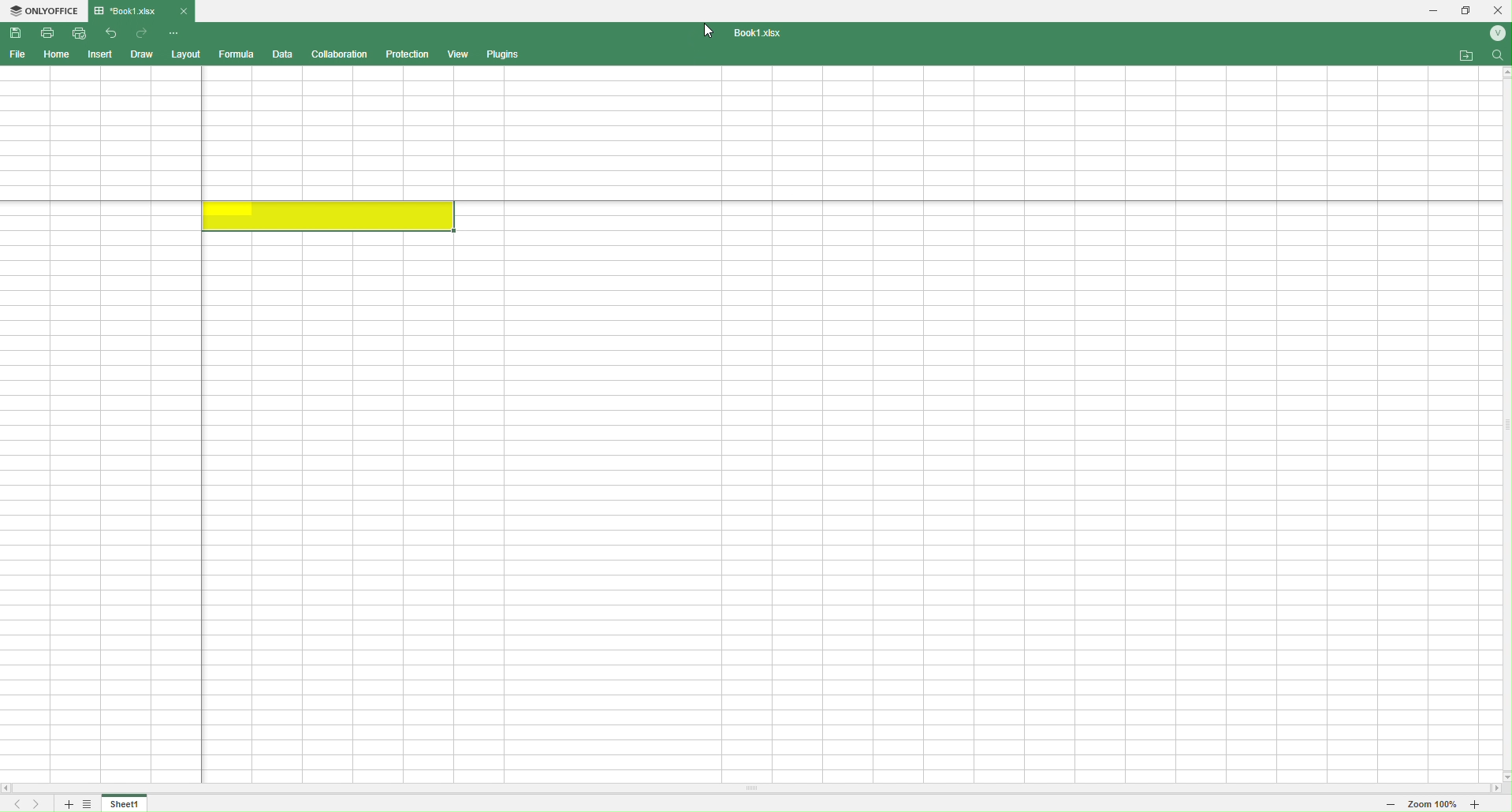 This screenshot has height=812, width=1512. I want to click on Cursor, so click(705, 33).